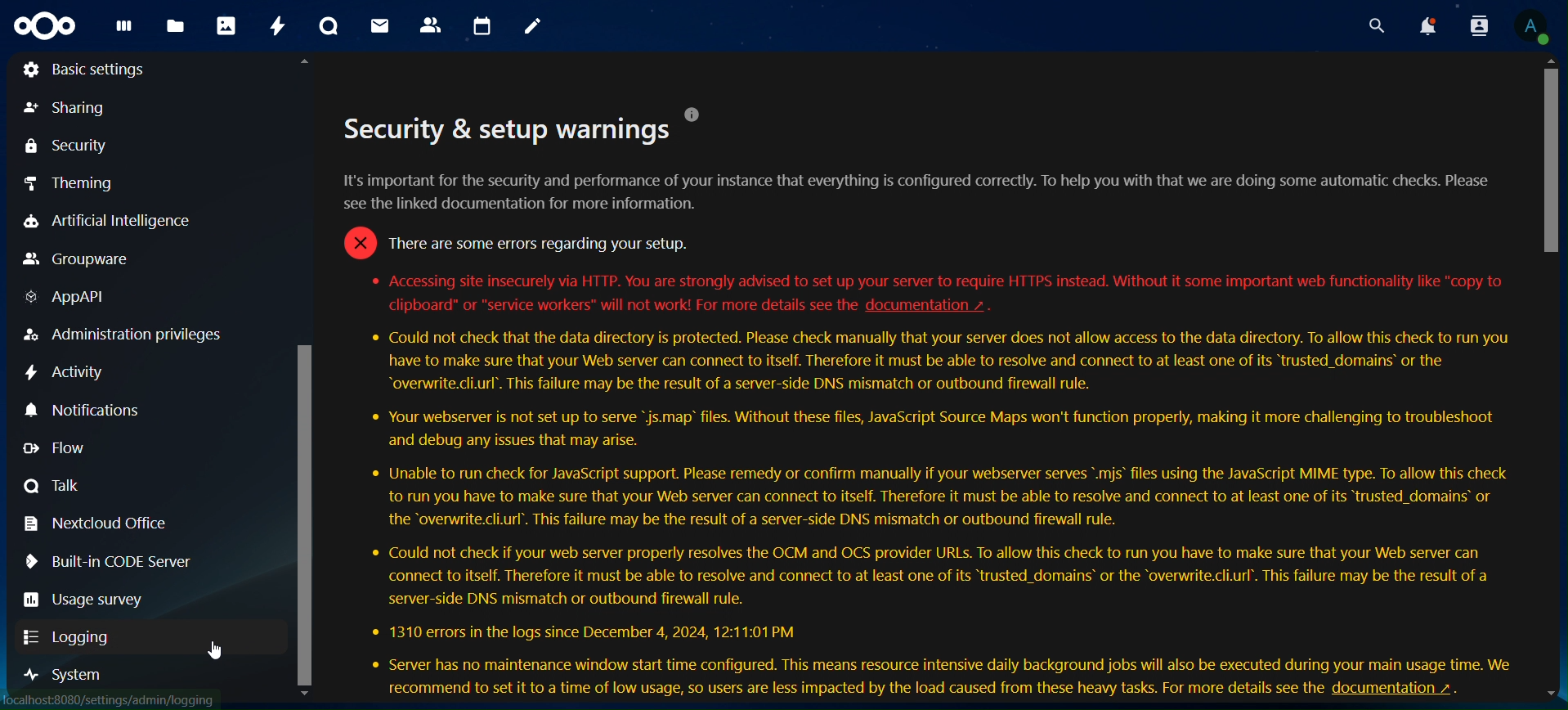 Image resolution: width=1568 pixels, height=710 pixels. I want to click on search, so click(1374, 26).